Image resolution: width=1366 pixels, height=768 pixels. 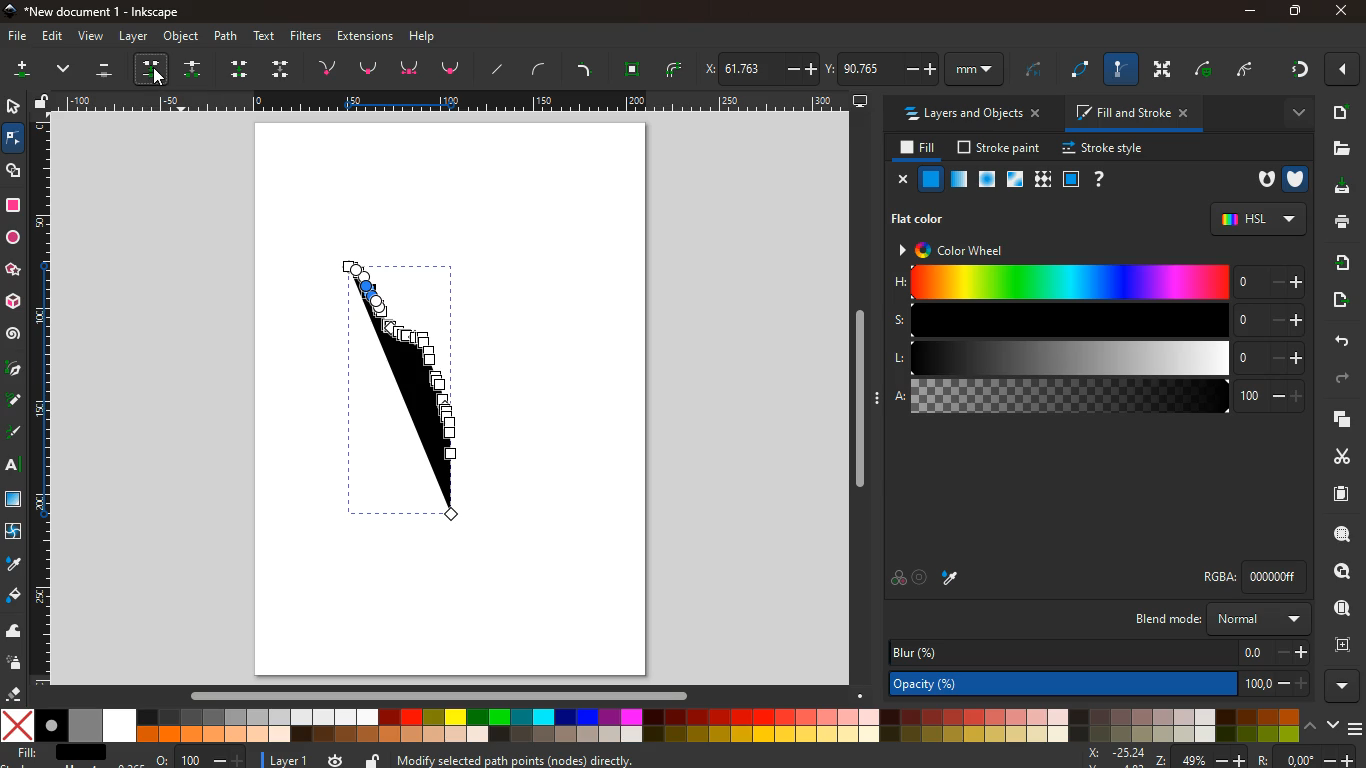 What do you see at coordinates (1338, 420) in the screenshot?
I see `copy` at bounding box center [1338, 420].